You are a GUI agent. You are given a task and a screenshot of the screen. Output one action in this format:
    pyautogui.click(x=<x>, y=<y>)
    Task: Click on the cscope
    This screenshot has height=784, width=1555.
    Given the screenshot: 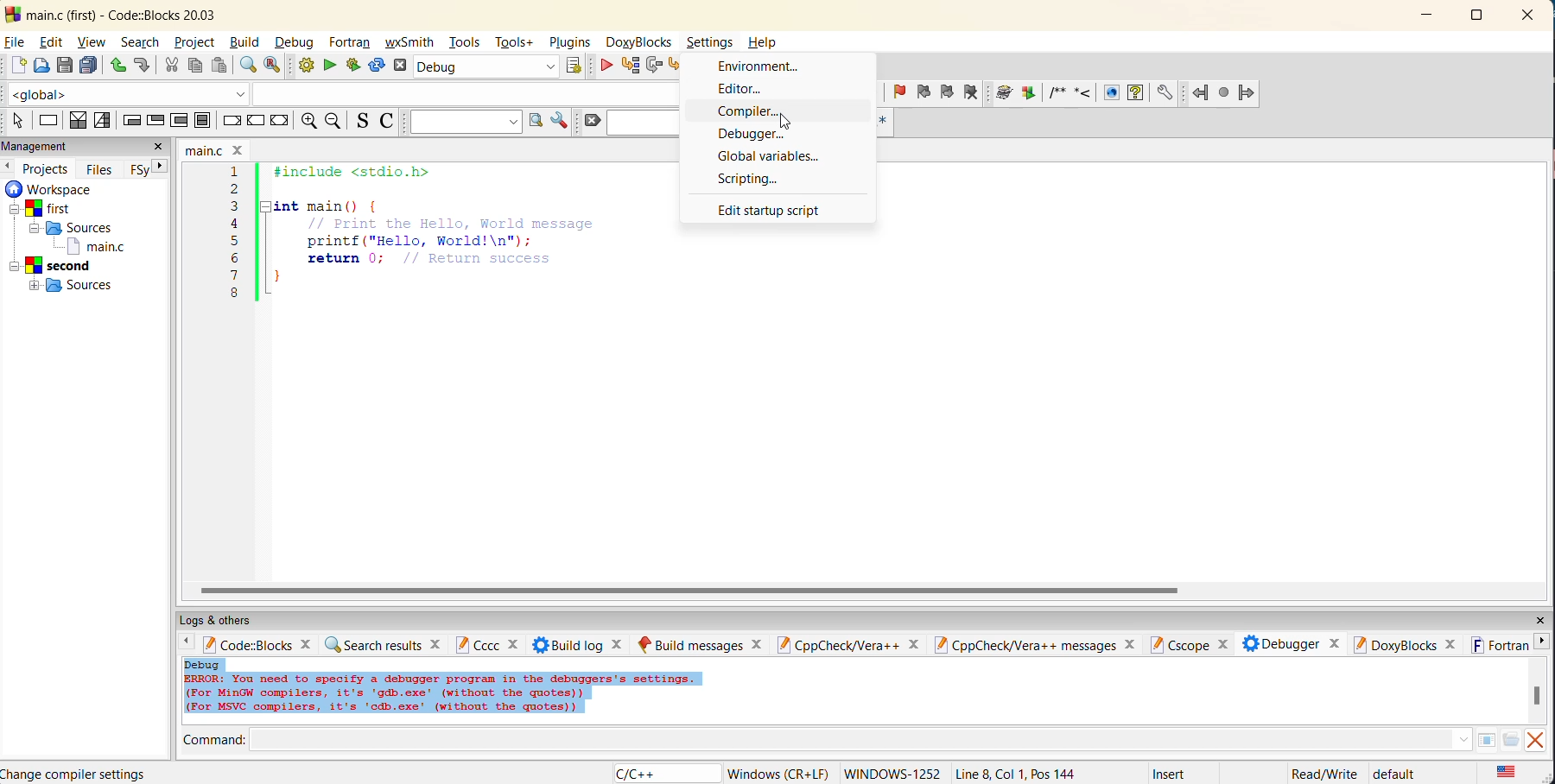 What is the action you would take?
    pyautogui.click(x=1189, y=643)
    